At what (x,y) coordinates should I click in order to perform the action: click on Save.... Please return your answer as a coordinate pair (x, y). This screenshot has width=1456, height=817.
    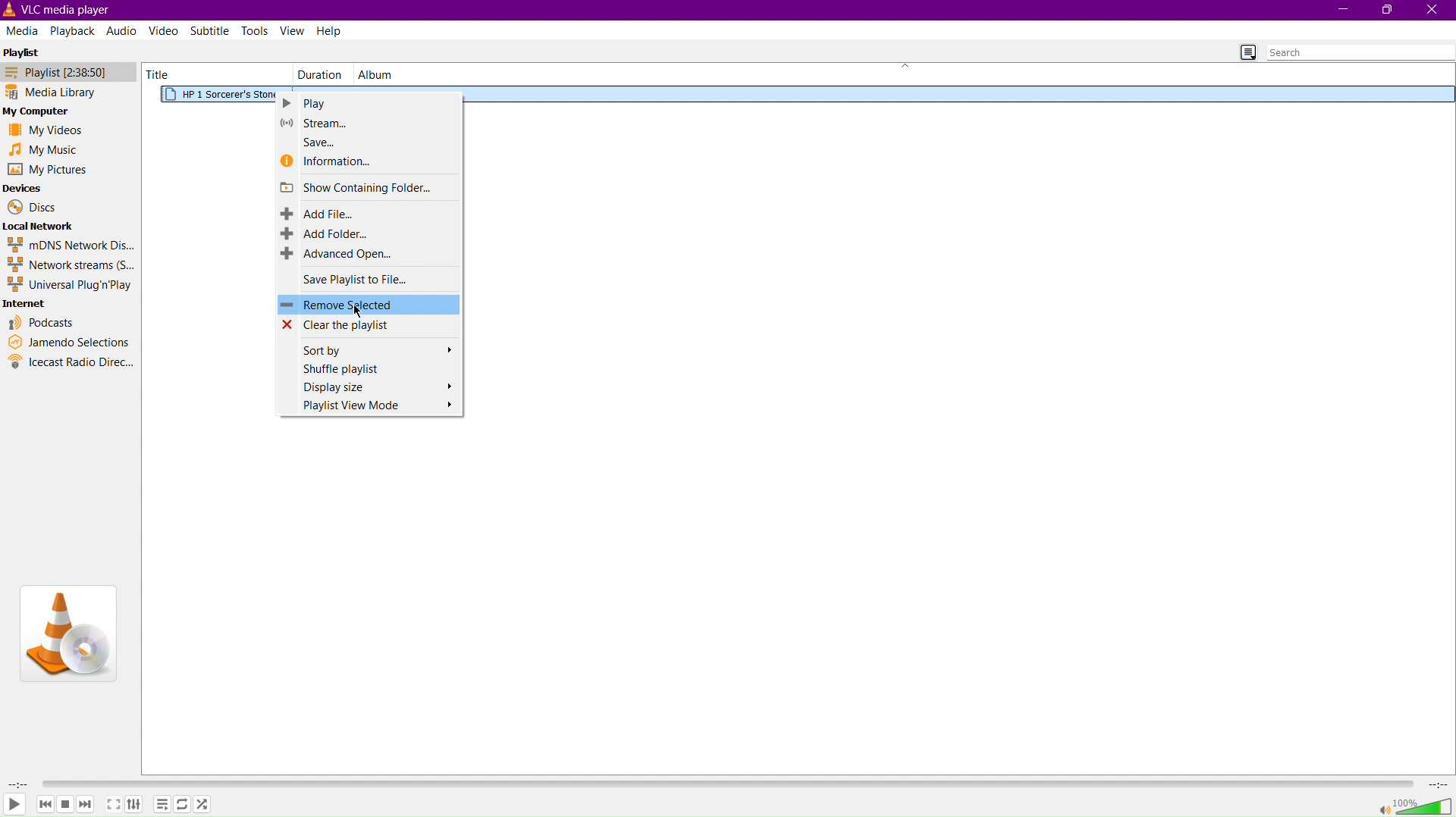
    Looking at the image, I should click on (361, 139).